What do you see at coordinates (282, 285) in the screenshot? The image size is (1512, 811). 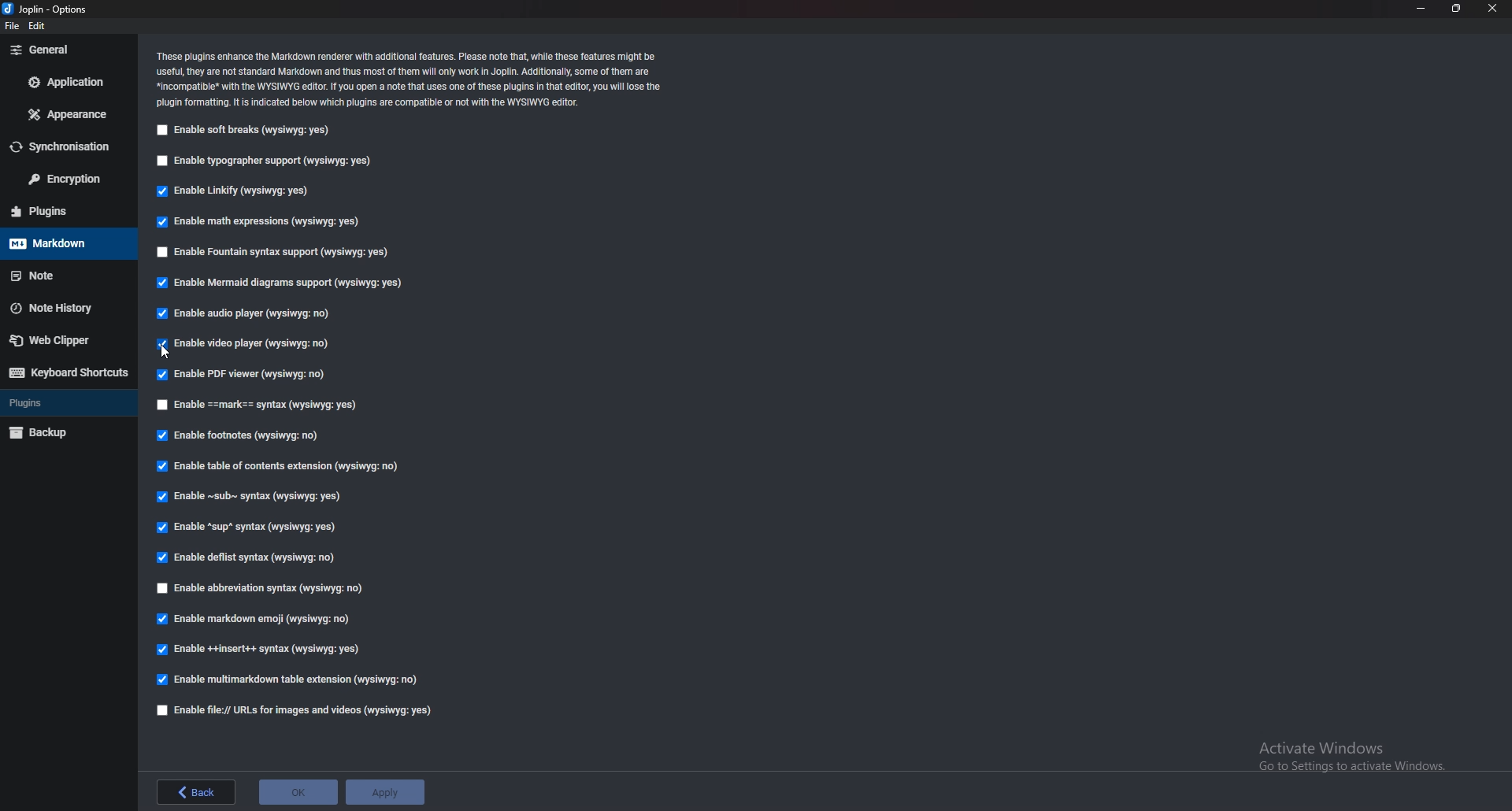 I see `Enable mermaid diagrams support (wysiqyg:yes)` at bounding box center [282, 285].